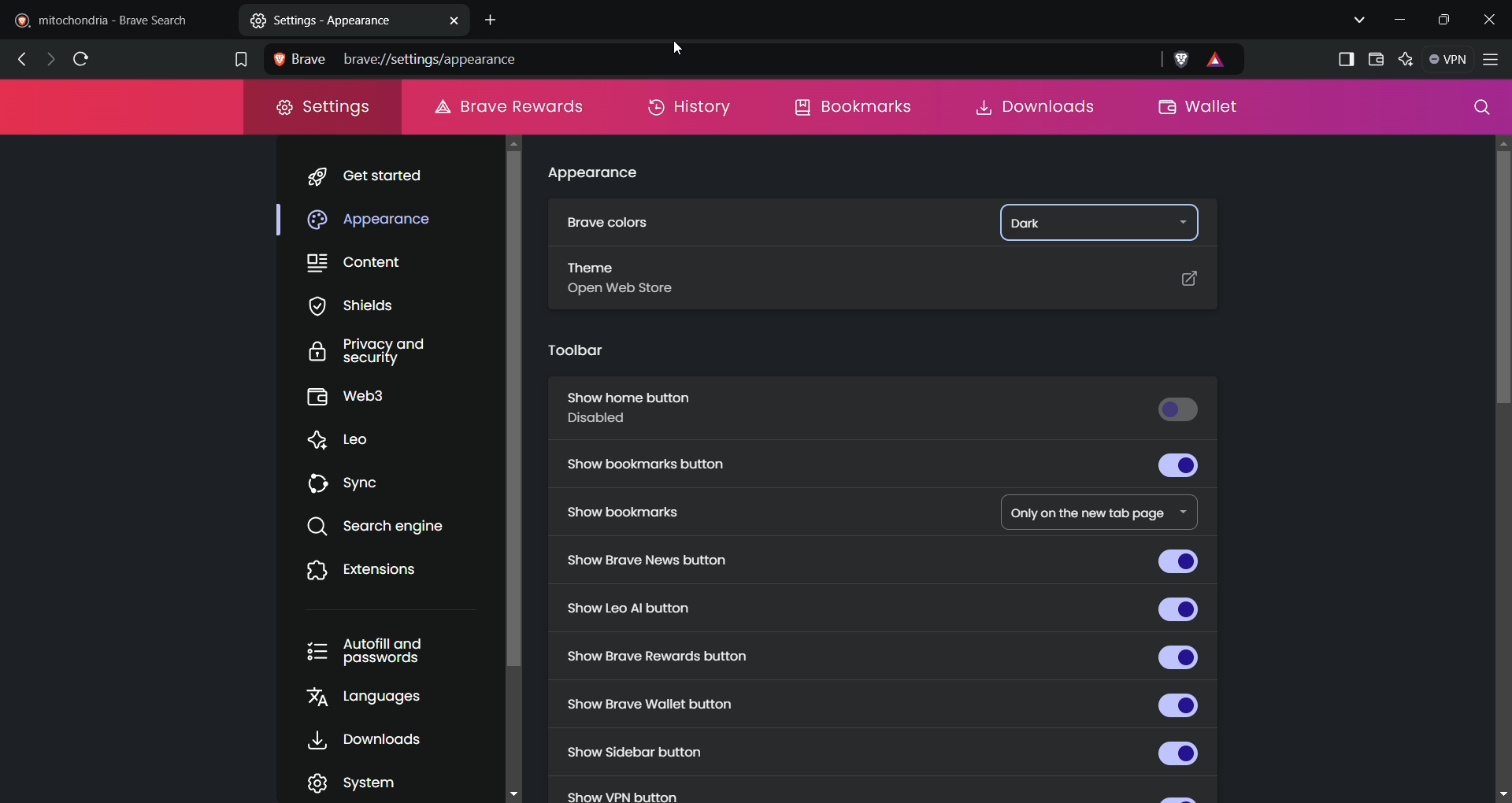 Image resolution: width=1512 pixels, height=803 pixels. Describe the element at coordinates (363, 398) in the screenshot. I see `web3` at that location.